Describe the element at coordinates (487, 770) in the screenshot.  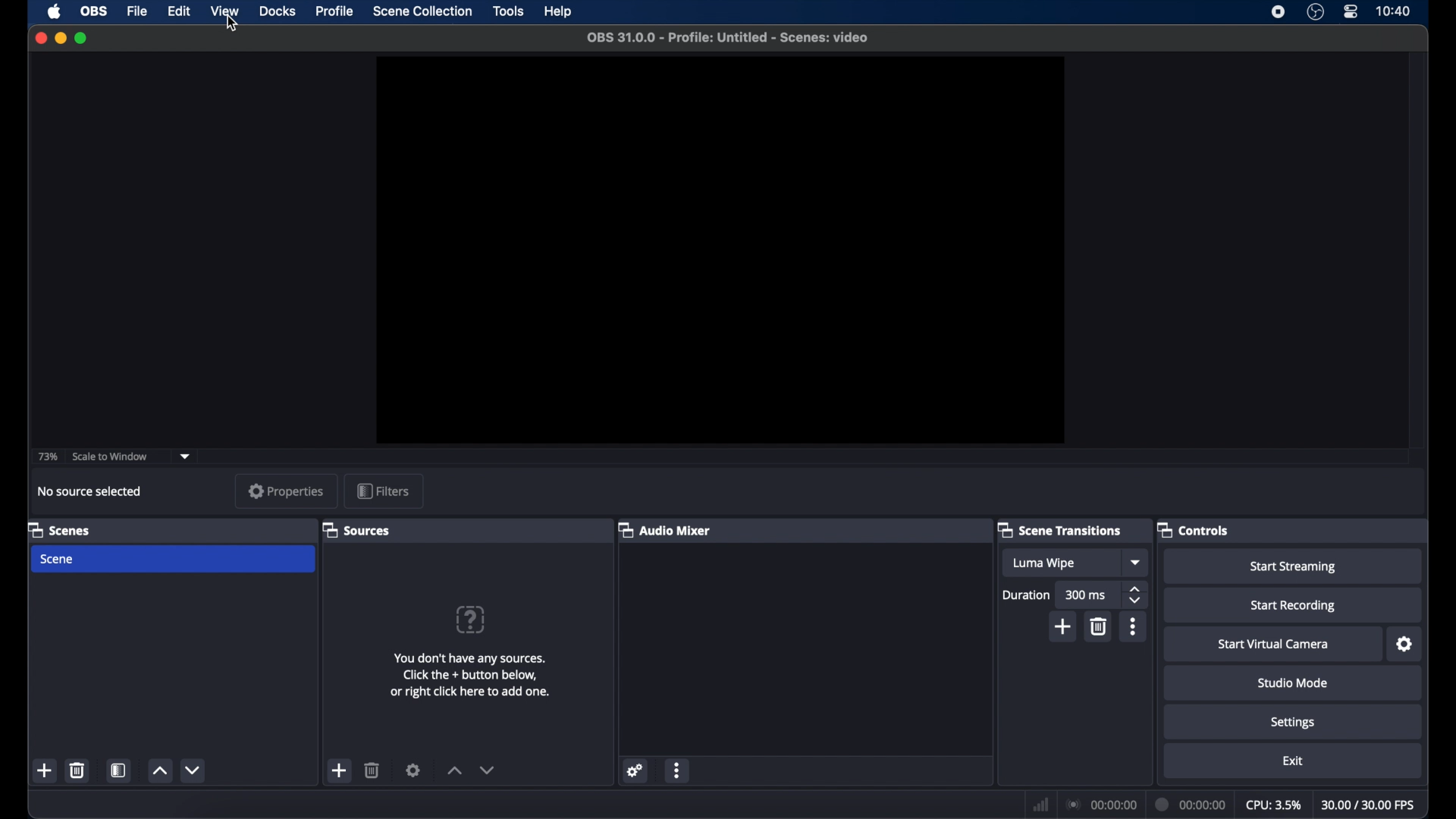
I see `decrement` at that location.